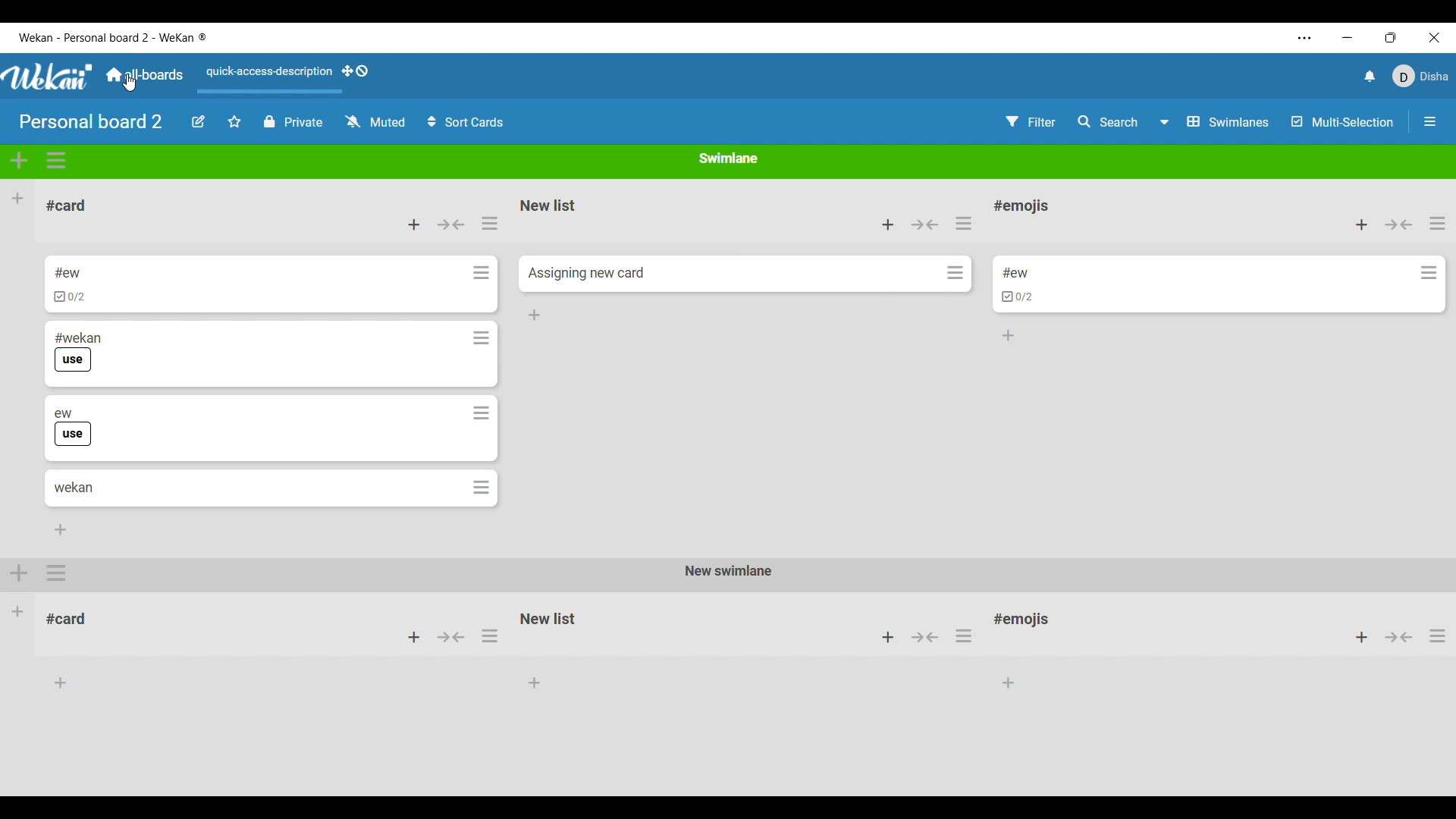 The width and height of the screenshot is (1456, 819). I want to click on Card actions, so click(482, 413).